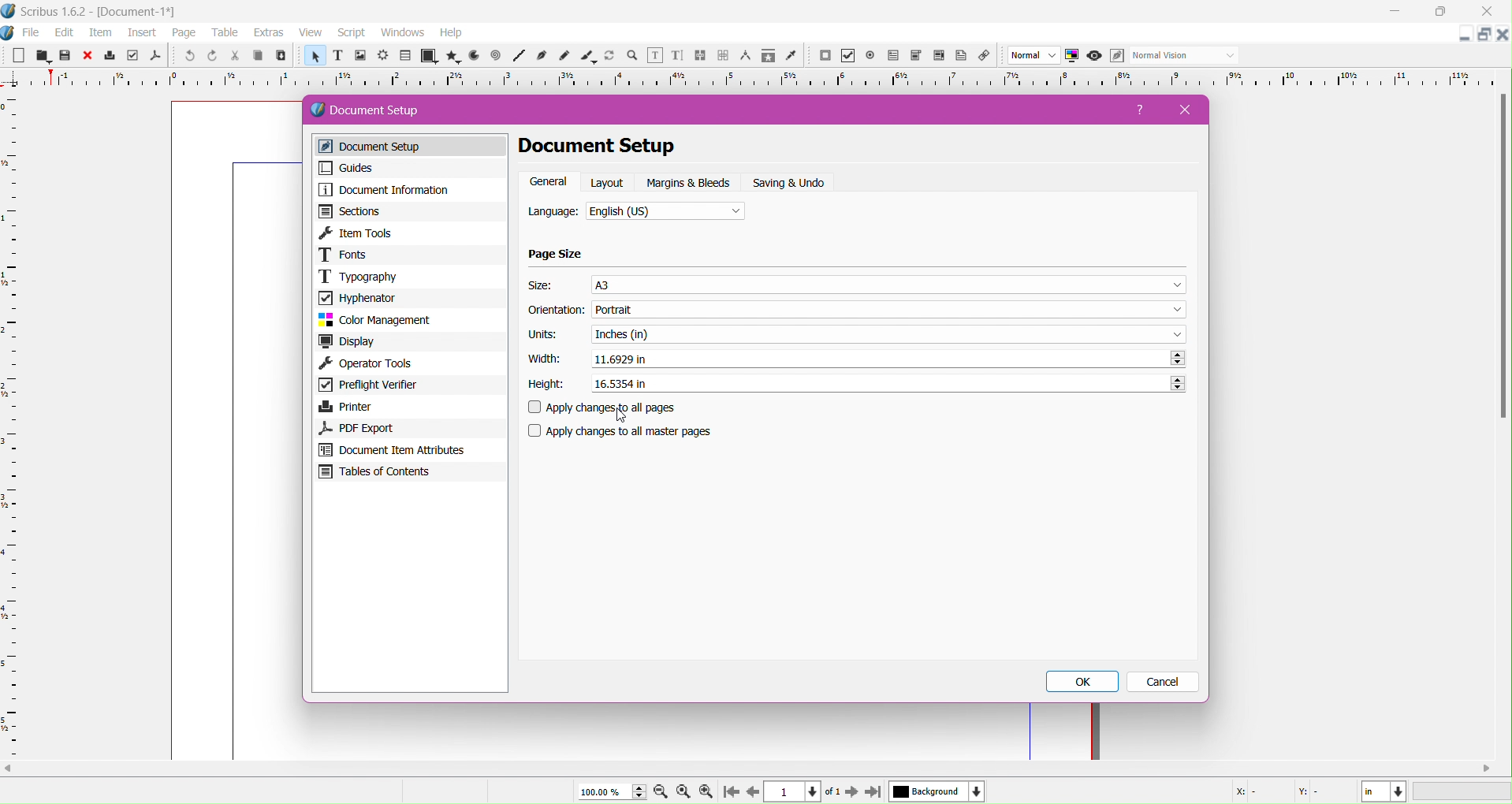 The height and width of the screenshot is (804, 1512). I want to click on script menu, so click(353, 33).